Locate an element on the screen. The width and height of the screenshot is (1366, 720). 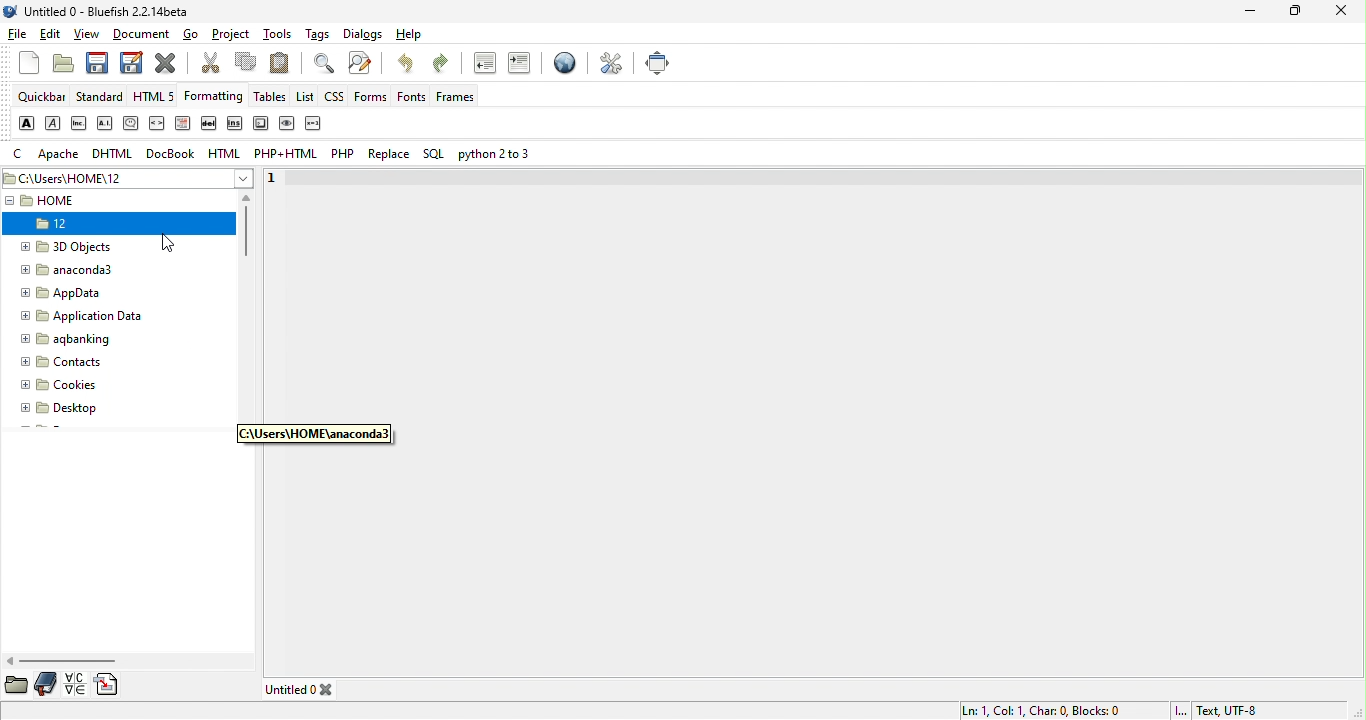
project is located at coordinates (233, 35).